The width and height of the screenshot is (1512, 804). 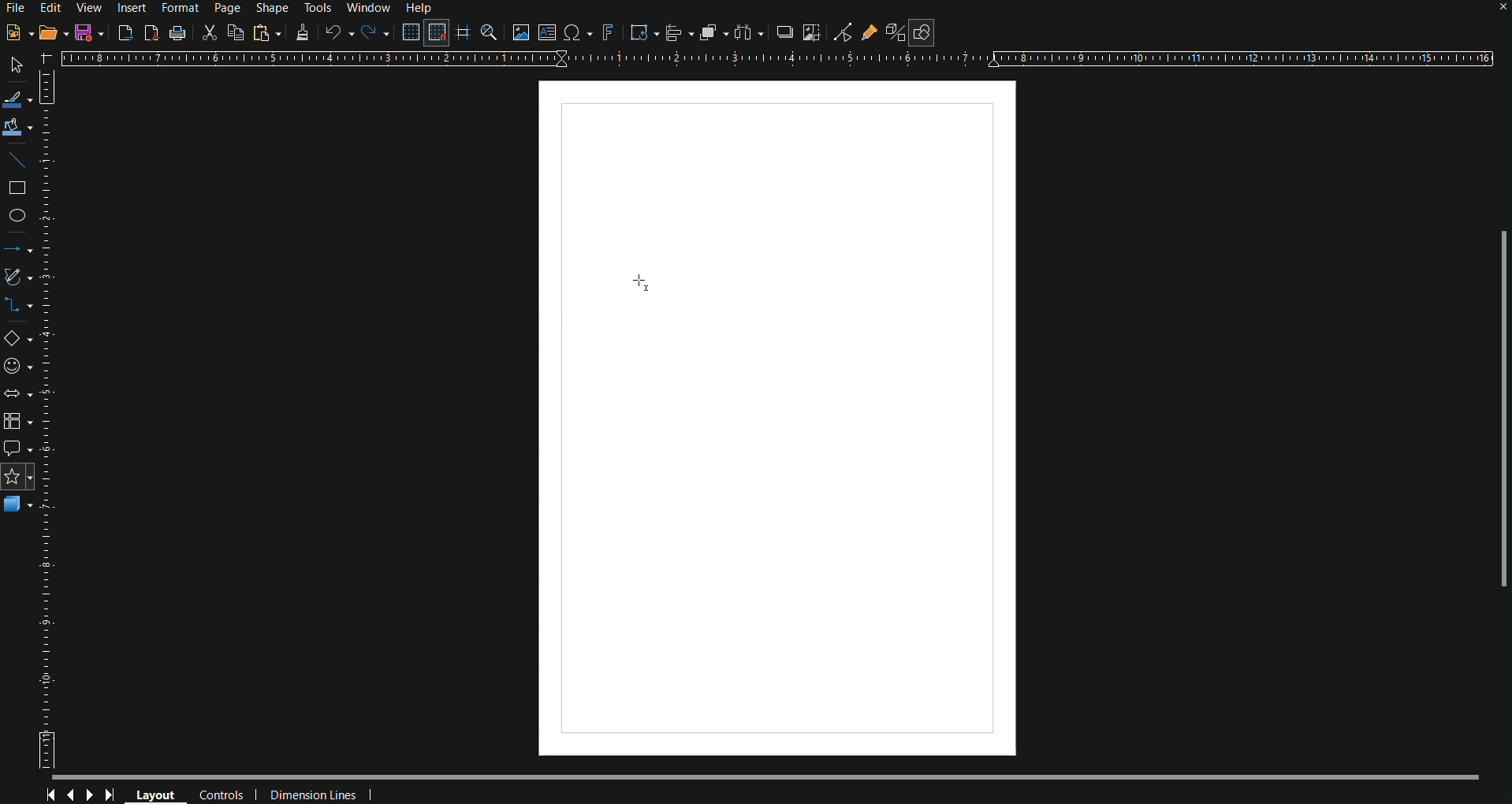 What do you see at coordinates (20, 423) in the screenshot?
I see `Flowchart` at bounding box center [20, 423].